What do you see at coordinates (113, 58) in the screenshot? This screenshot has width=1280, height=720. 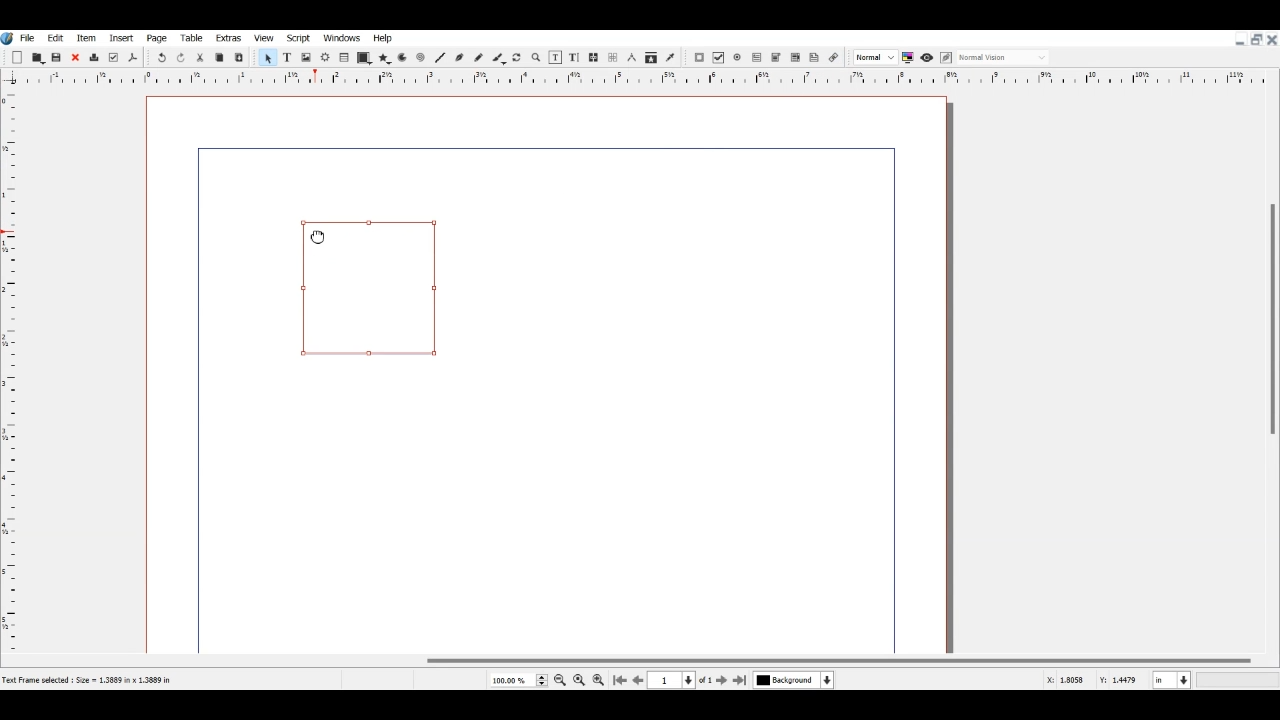 I see `Preflight verifier` at bounding box center [113, 58].